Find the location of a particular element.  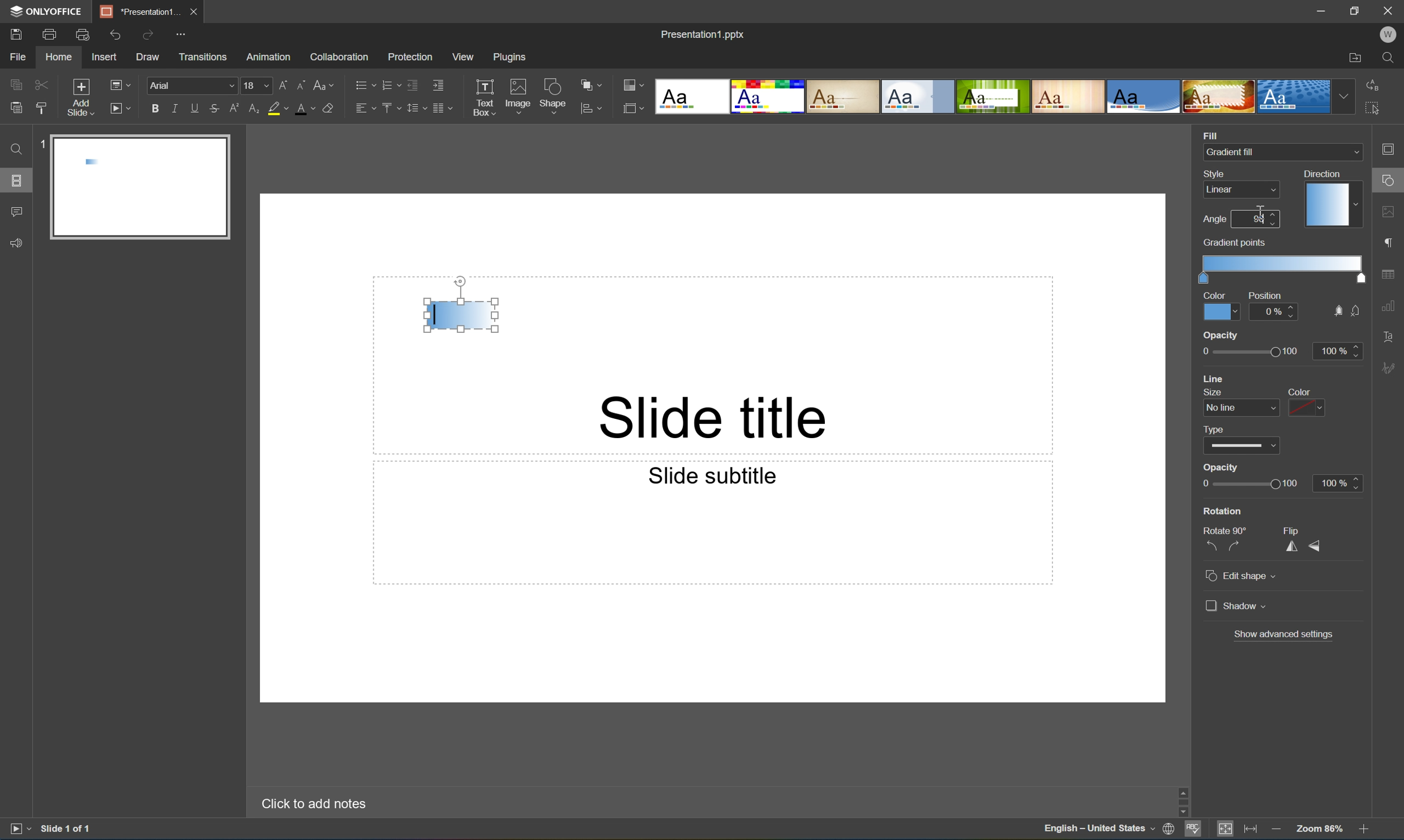

Customize quick access toolbar is located at coordinates (185, 33).